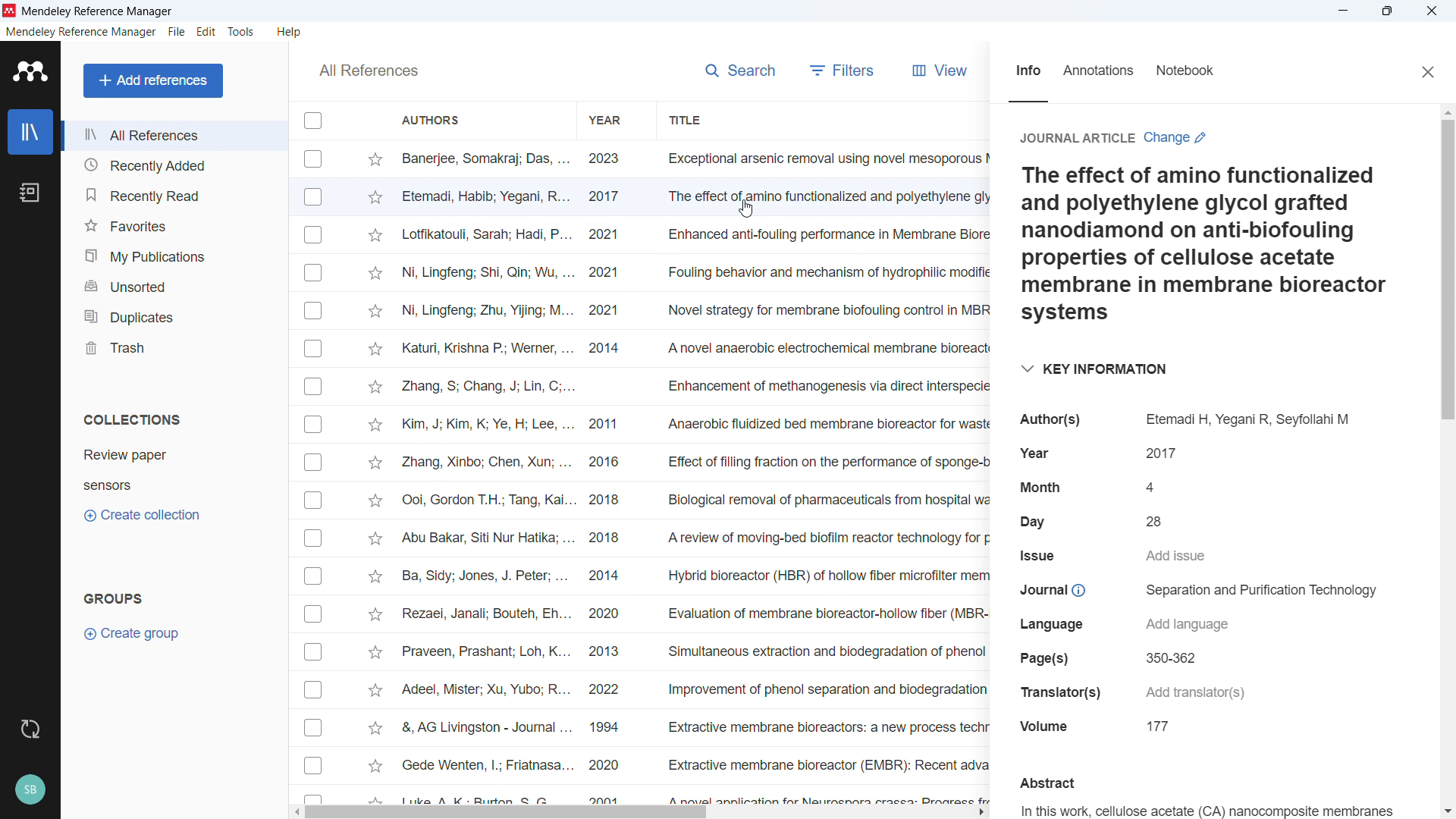 This screenshot has height=819, width=1456. Describe the element at coordinates (1386, 12) in the screenshot. I see `Maximise ` at that location.